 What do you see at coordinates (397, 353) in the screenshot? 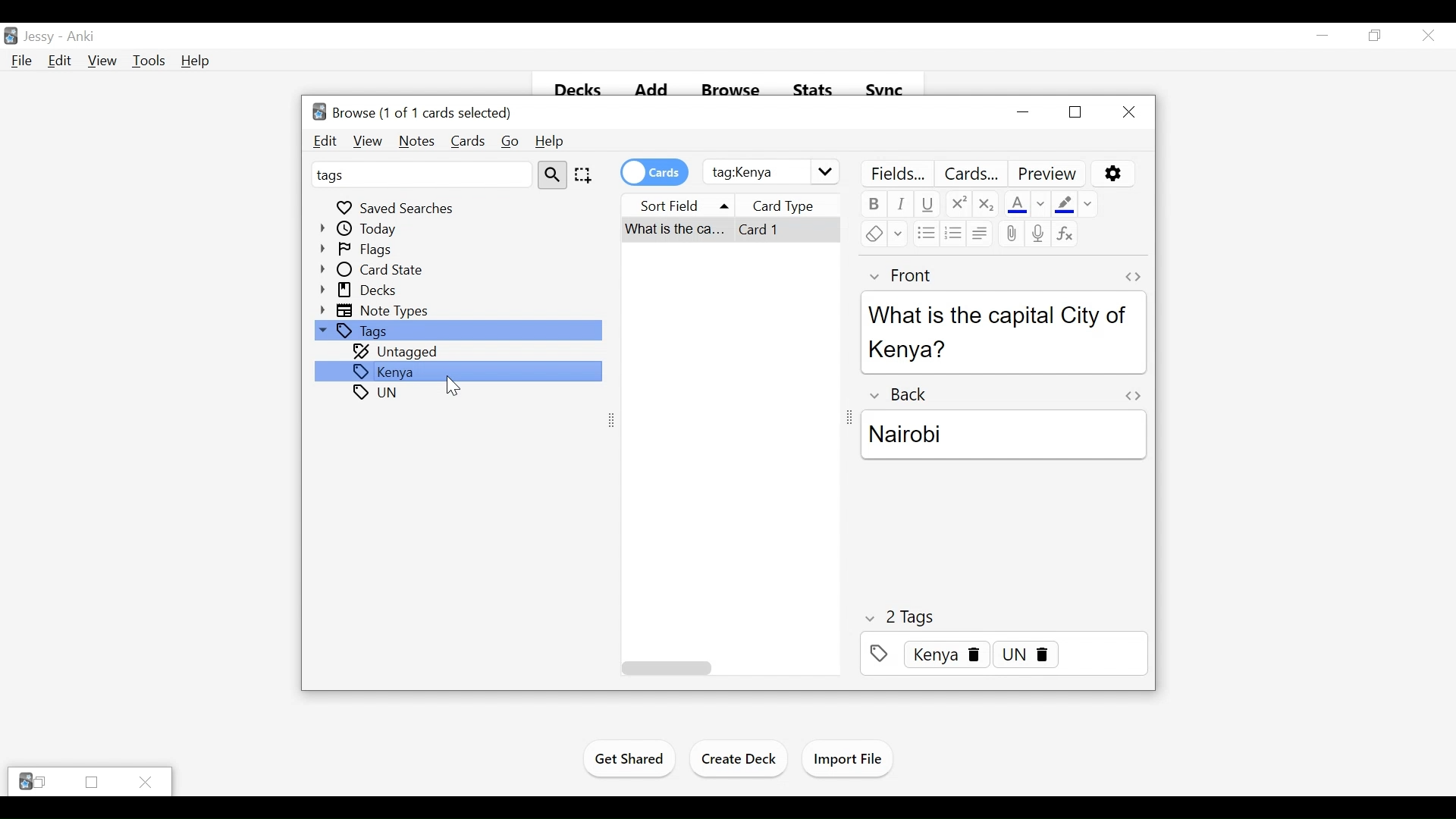
I see `Untagged` at bounding box center [397, 353].